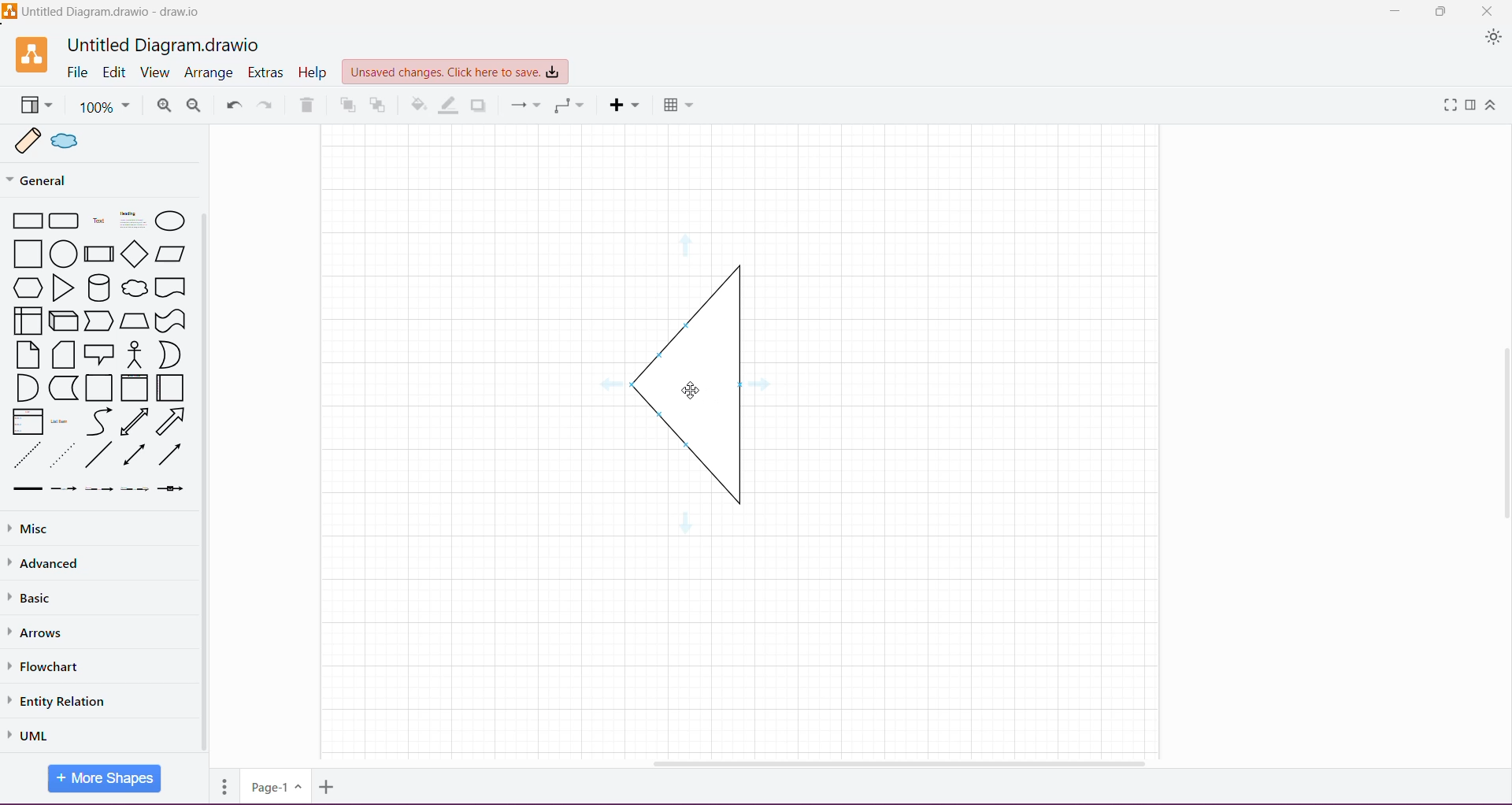  Describe the element at coordinates (346, 106) in the screenshot. I see `To Front` at that location.